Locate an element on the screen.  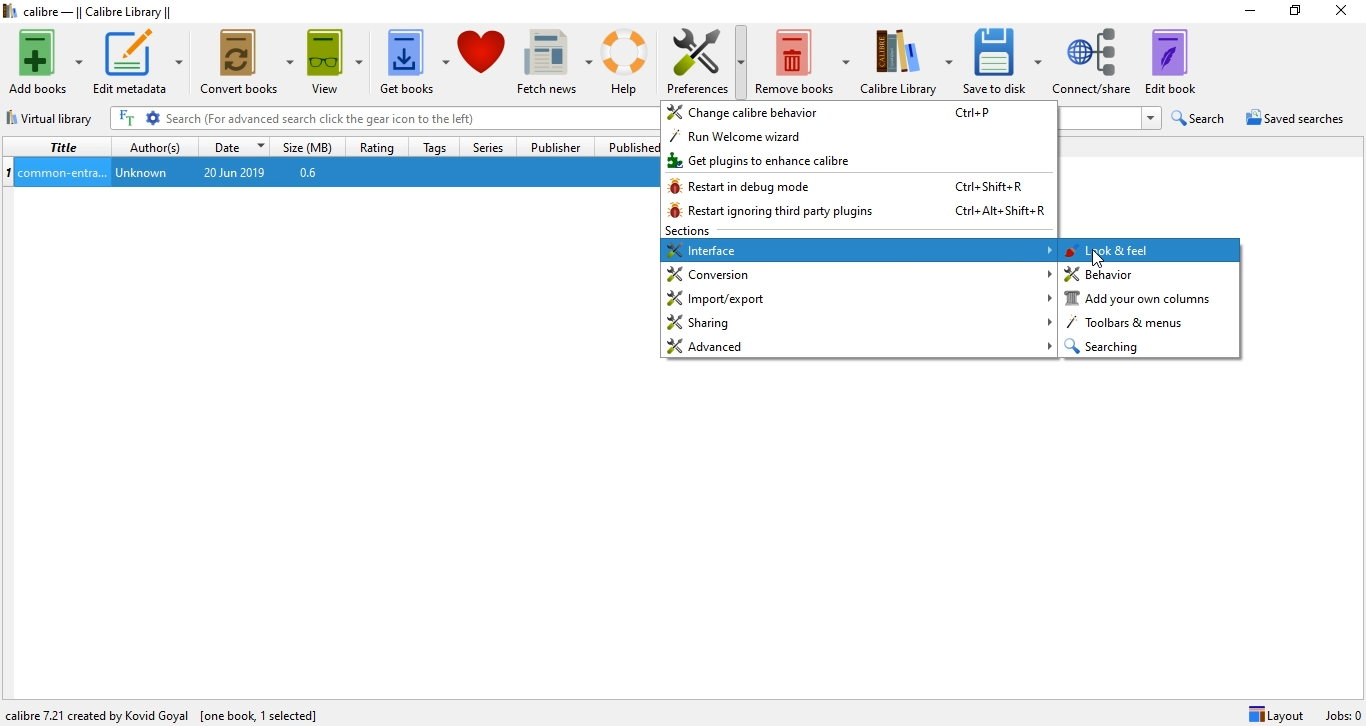
Preference is located at coordinates (709, 55).